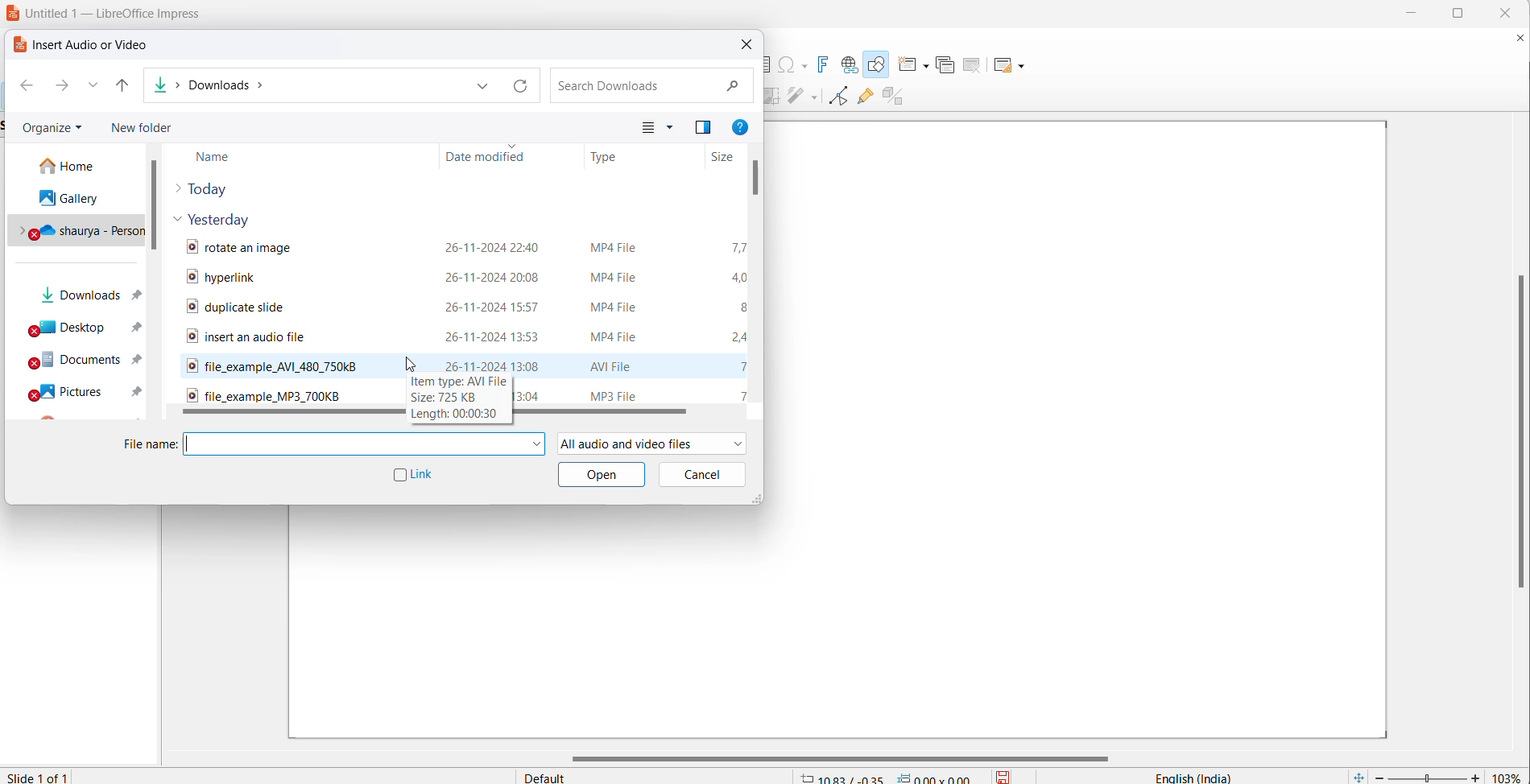  I want to click on , so click(217, 155).